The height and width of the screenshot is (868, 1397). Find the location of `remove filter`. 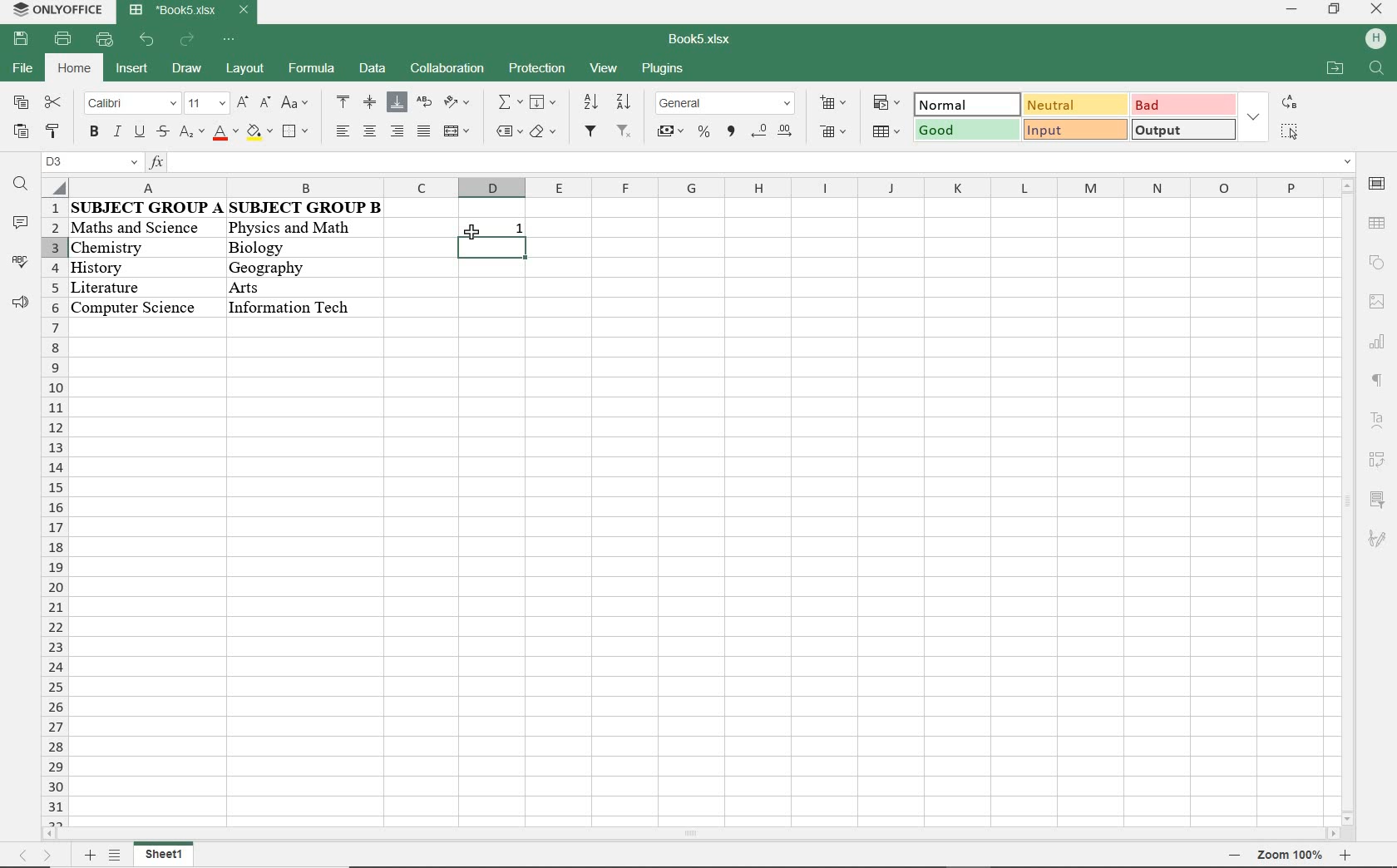

remove filter is located at coordinates (624, 132).